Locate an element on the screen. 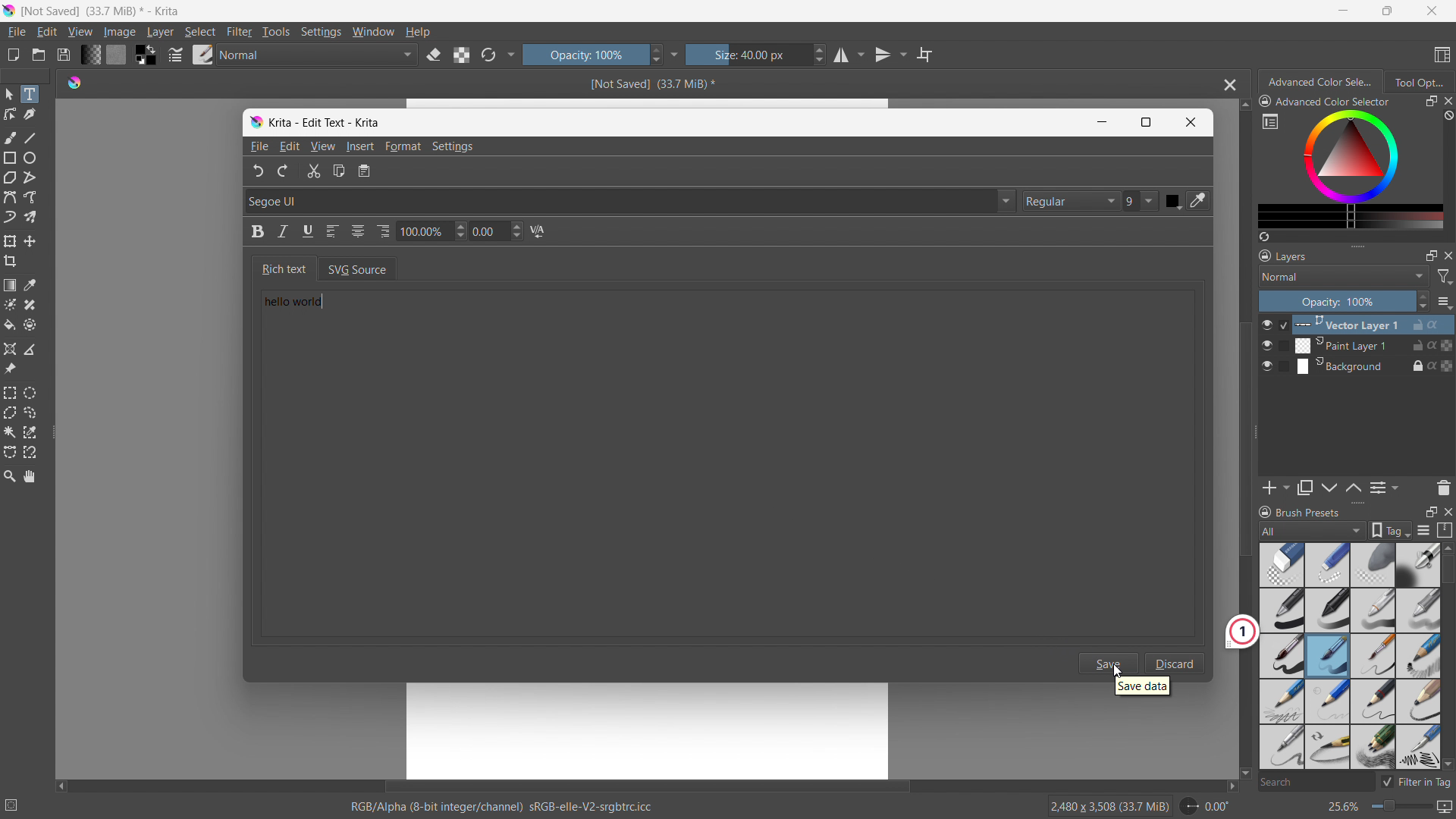 The height and width of the screenshot is (819, 1456). more settings is located at coordinates (1270, 121).